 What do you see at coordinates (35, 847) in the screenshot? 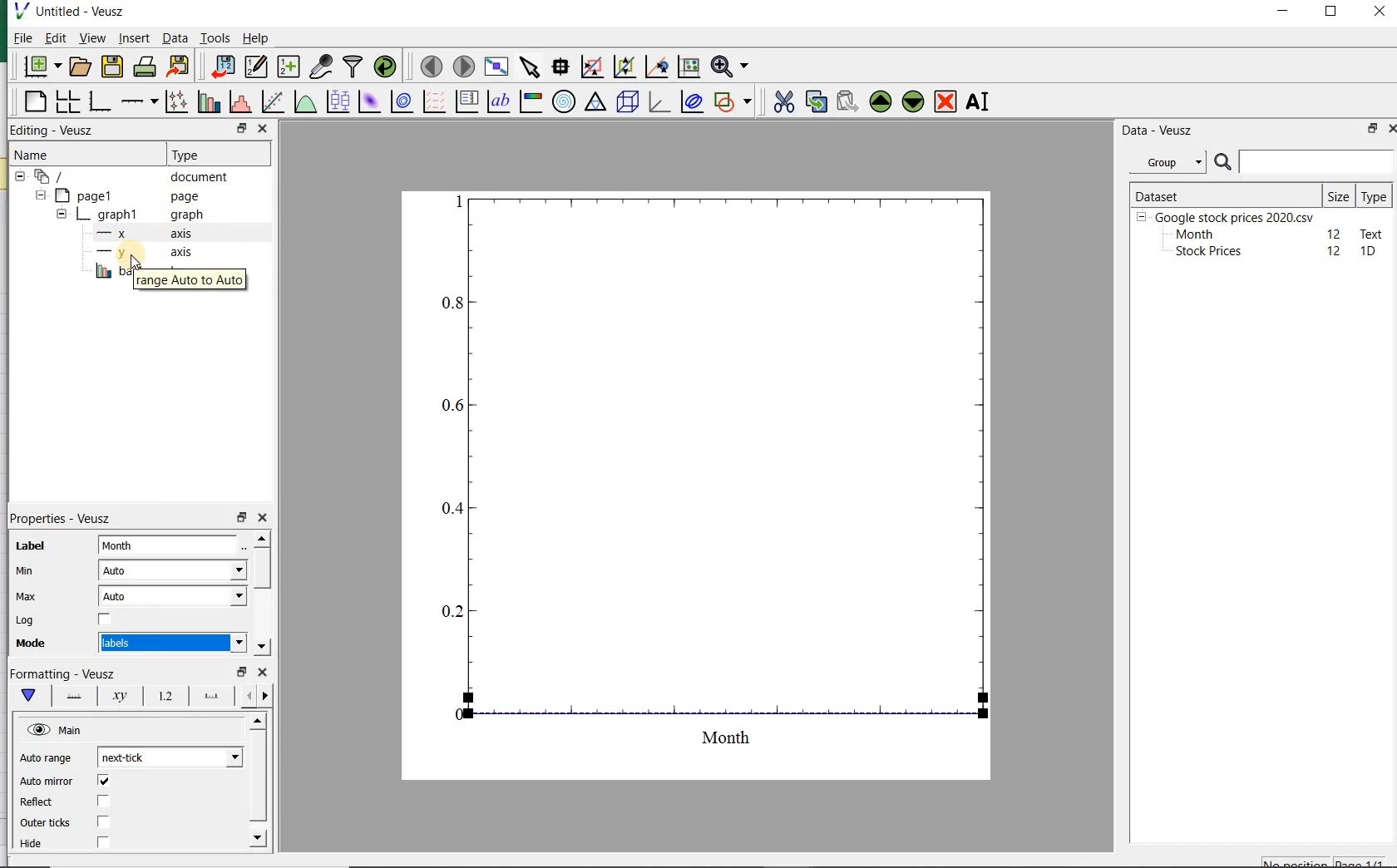
I see `Hide` at bounding box center [35, 847].